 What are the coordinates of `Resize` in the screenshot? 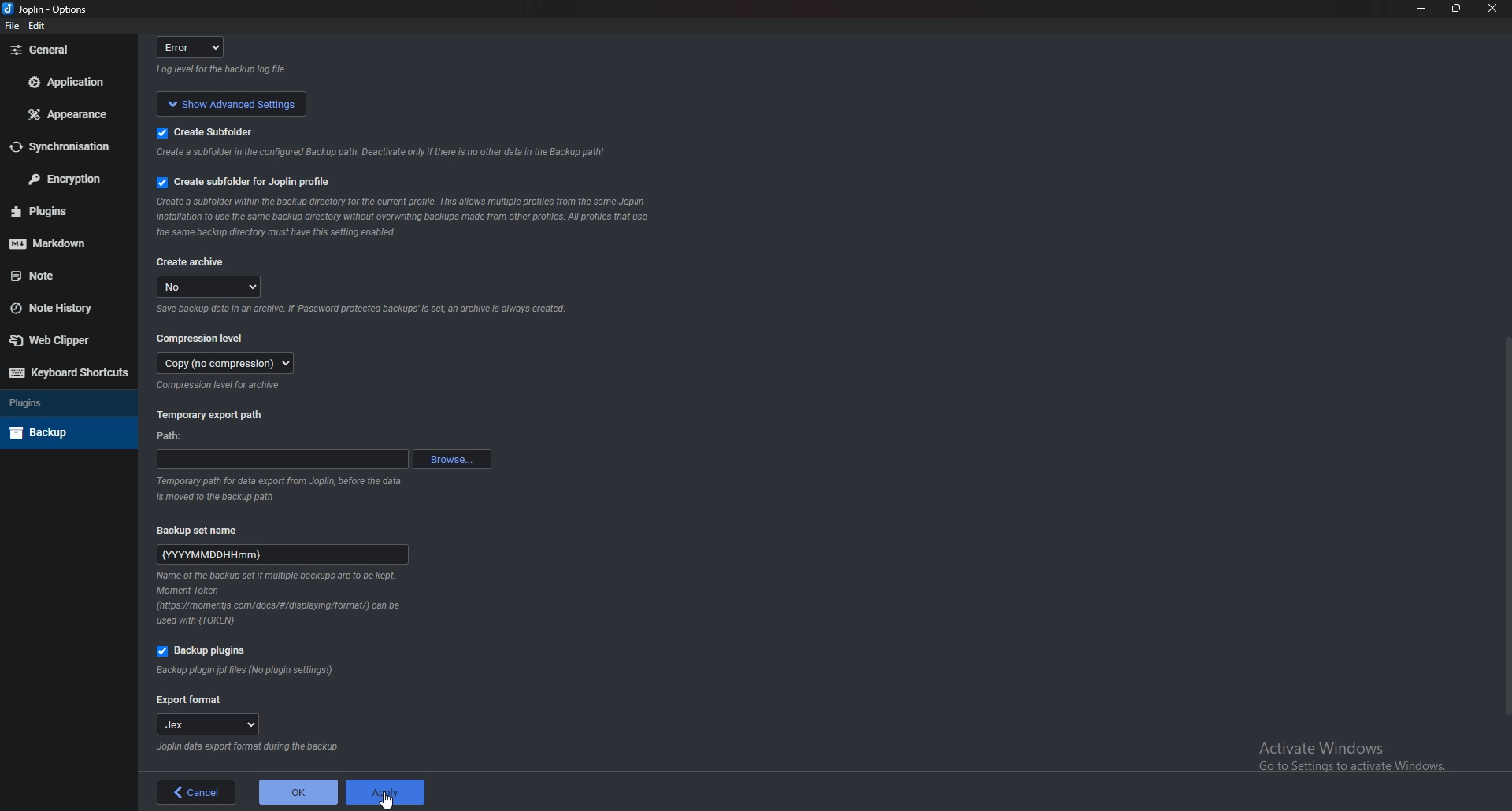 It's located at (1458, 9).